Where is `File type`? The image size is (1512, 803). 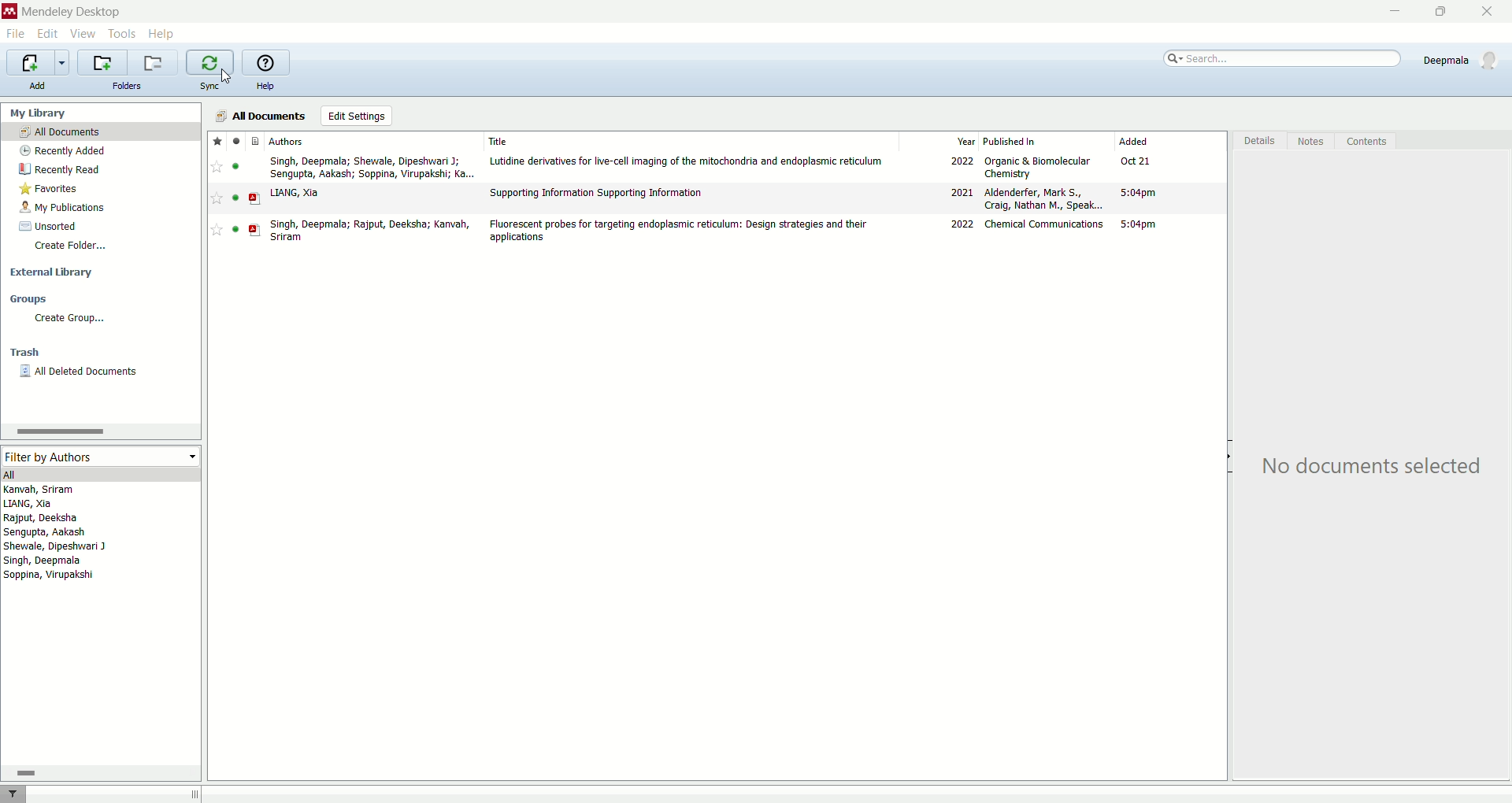
File type is located at coordinates (254, 141).